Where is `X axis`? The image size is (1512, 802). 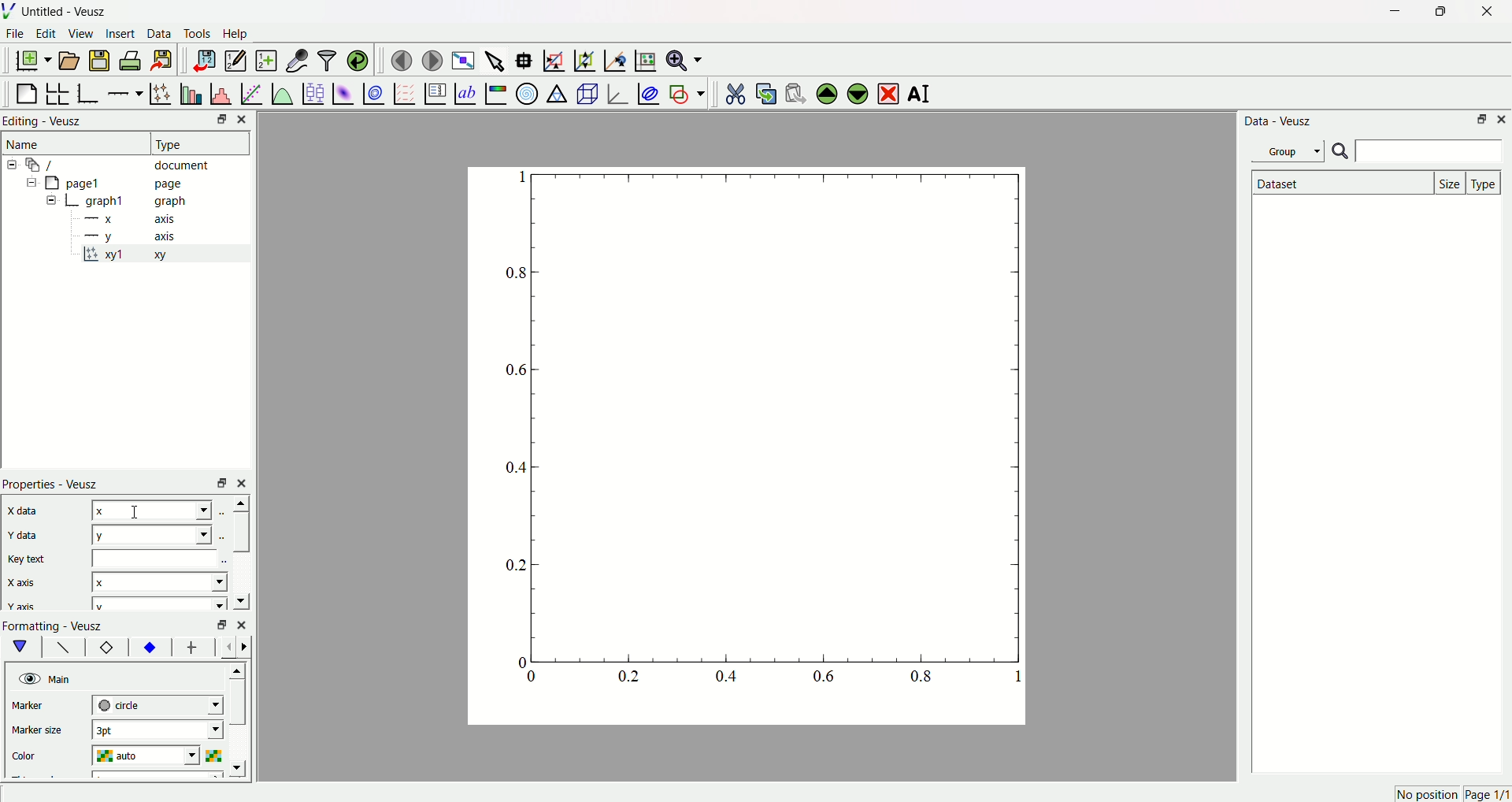 X axis is located at coordinates (28, 583).